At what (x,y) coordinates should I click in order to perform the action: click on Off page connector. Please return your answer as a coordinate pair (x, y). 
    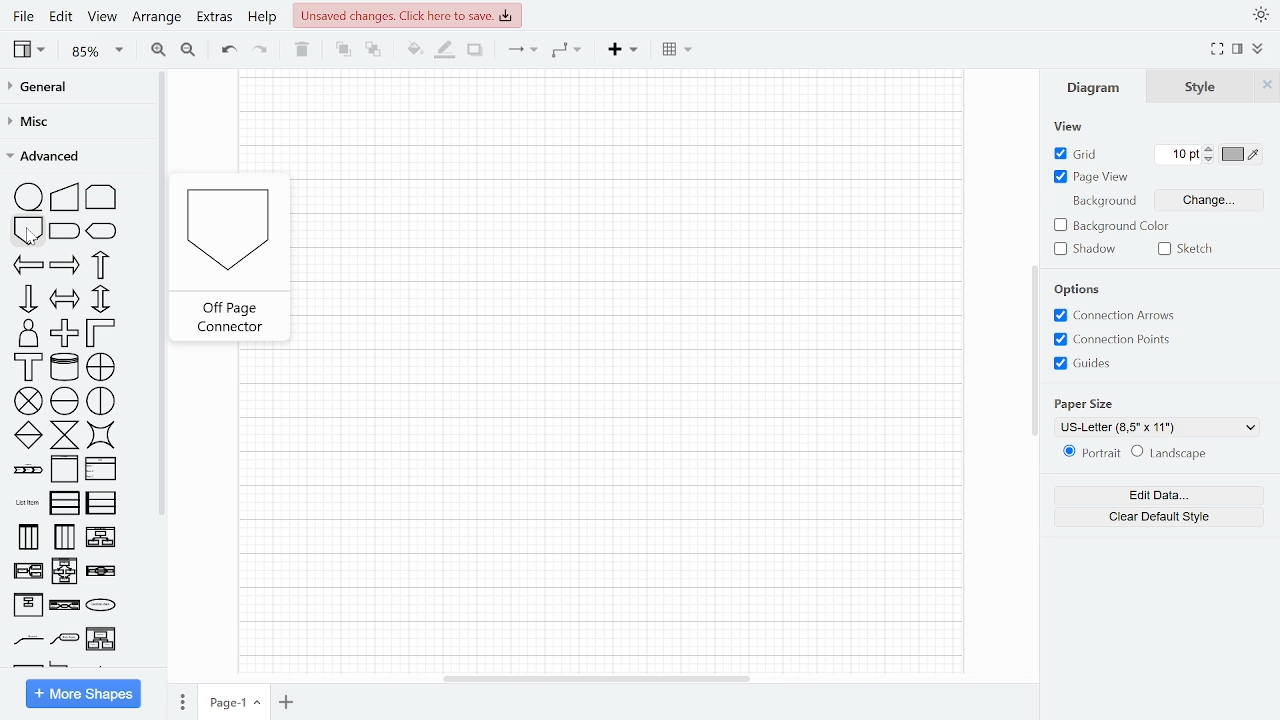
    Looking at the image, I should click on (227, 229).